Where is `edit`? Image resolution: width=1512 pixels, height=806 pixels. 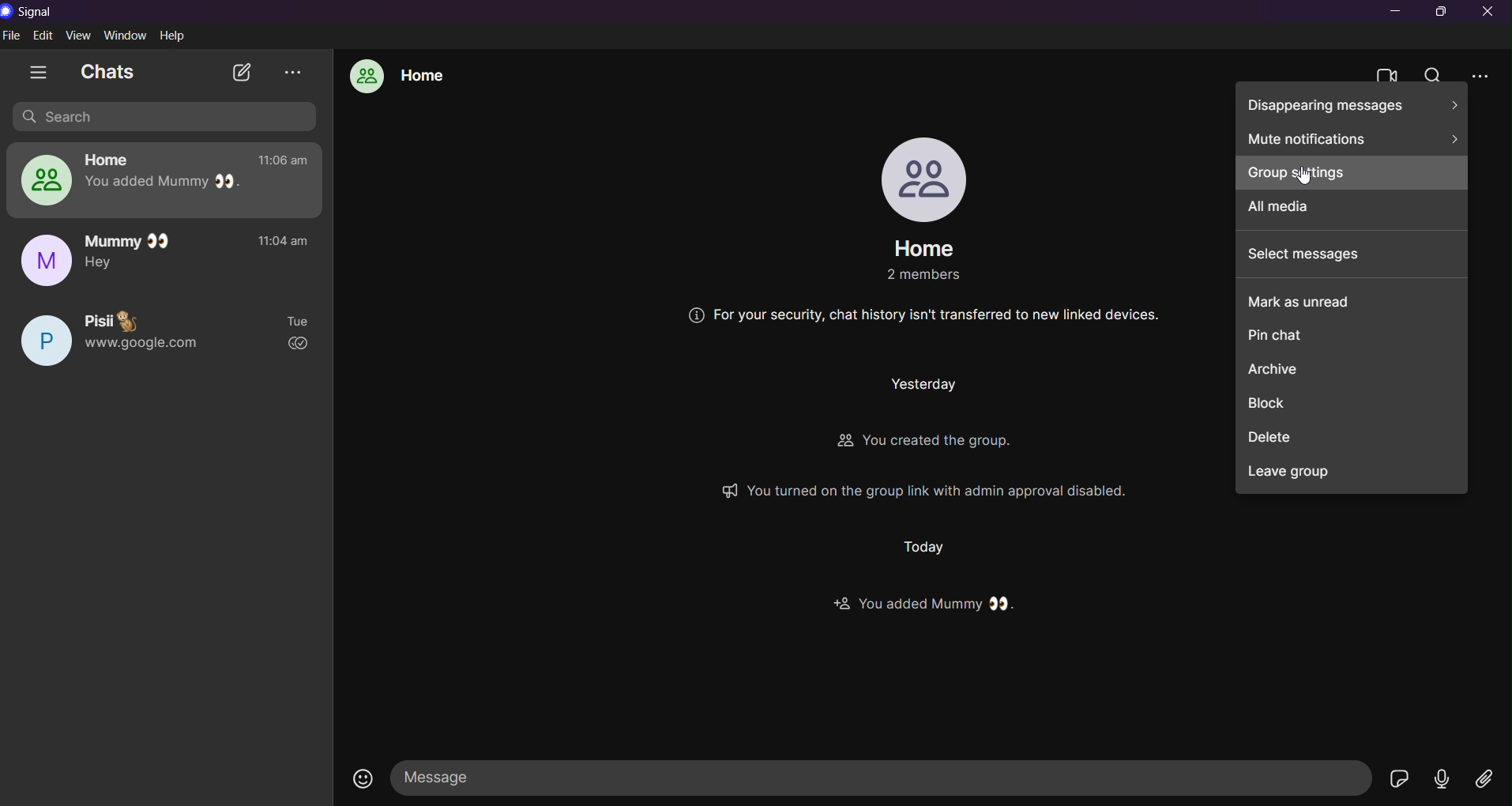
edit is located at coordinates (45, 36).